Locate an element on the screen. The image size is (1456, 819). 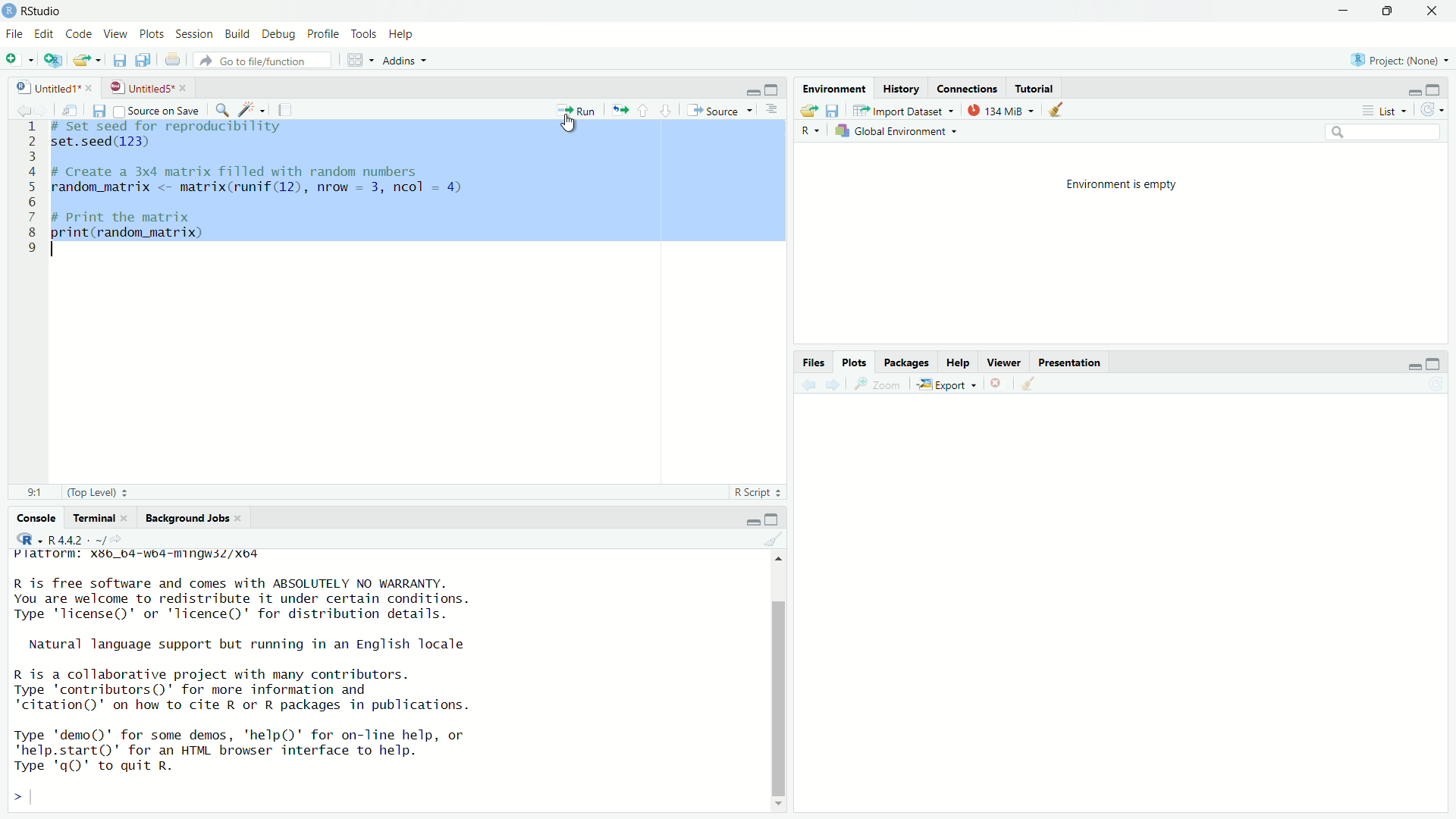
View is located at coordinates (116, 33).